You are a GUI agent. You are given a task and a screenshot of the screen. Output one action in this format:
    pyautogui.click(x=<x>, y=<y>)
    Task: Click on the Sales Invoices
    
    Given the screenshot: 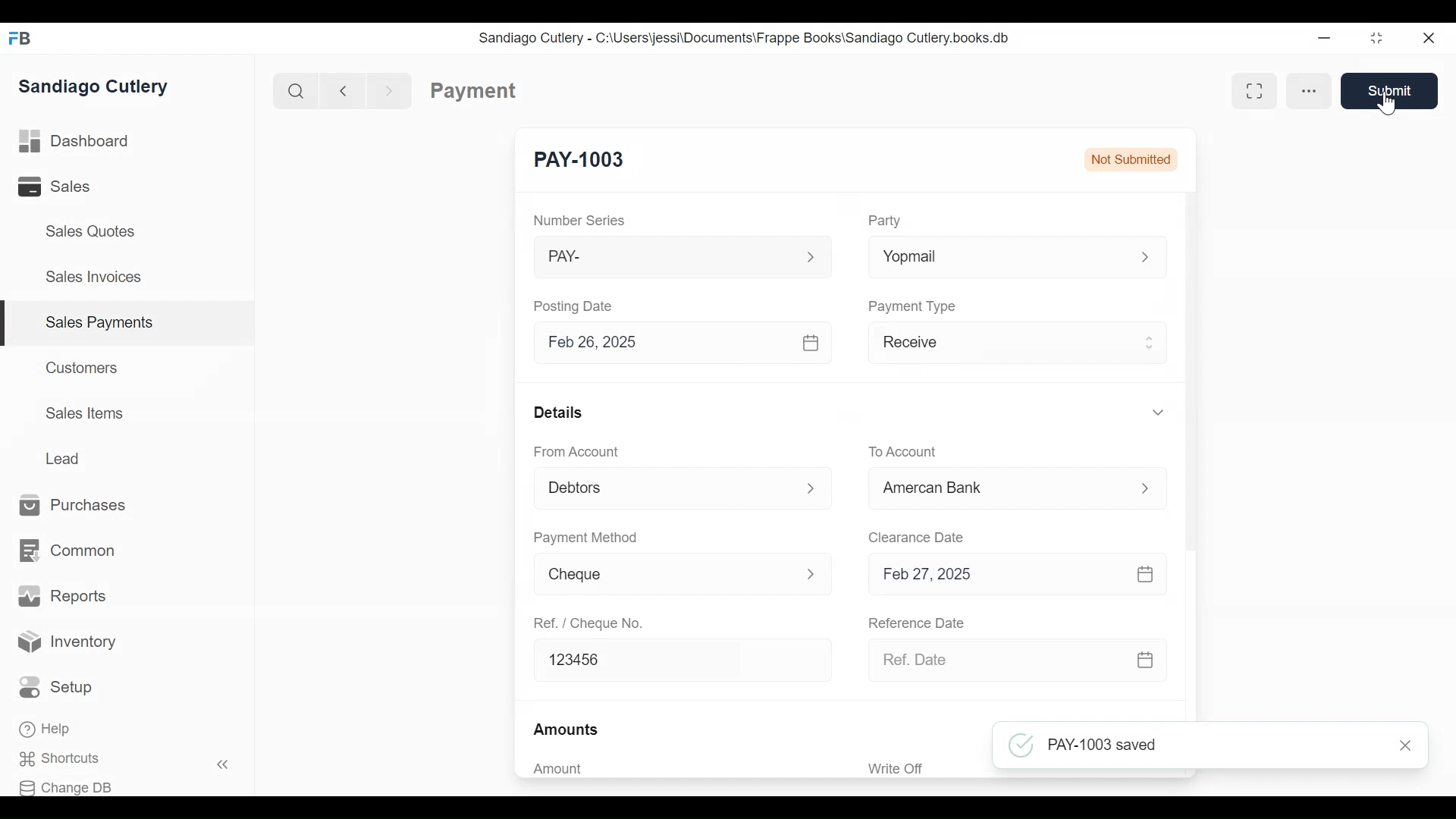 What is the action you would take?
    pyautogui.click(x=93, y=278)
    